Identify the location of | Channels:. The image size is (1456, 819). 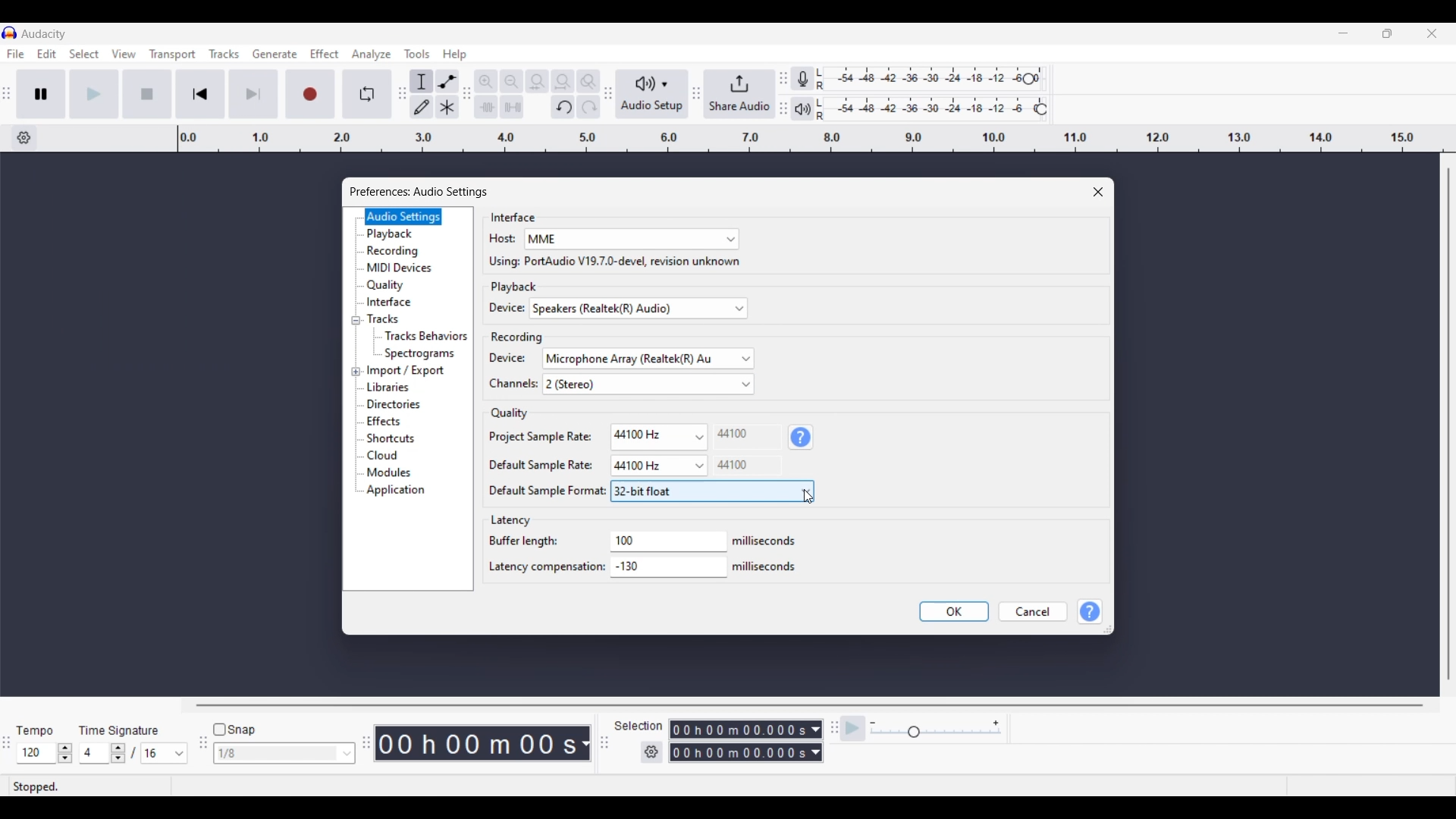
(505, 386).